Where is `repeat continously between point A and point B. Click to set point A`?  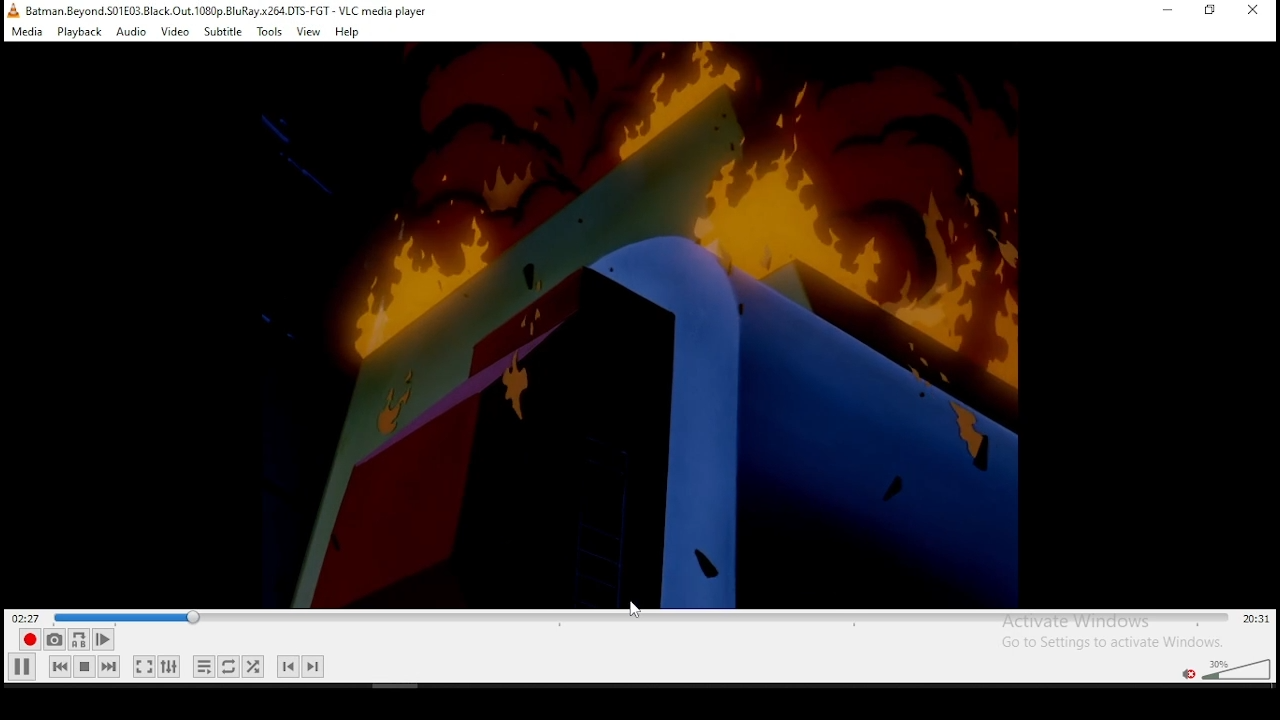
repeat continously between point A and point B. Click to set point A is located at coordinates (77, 639).